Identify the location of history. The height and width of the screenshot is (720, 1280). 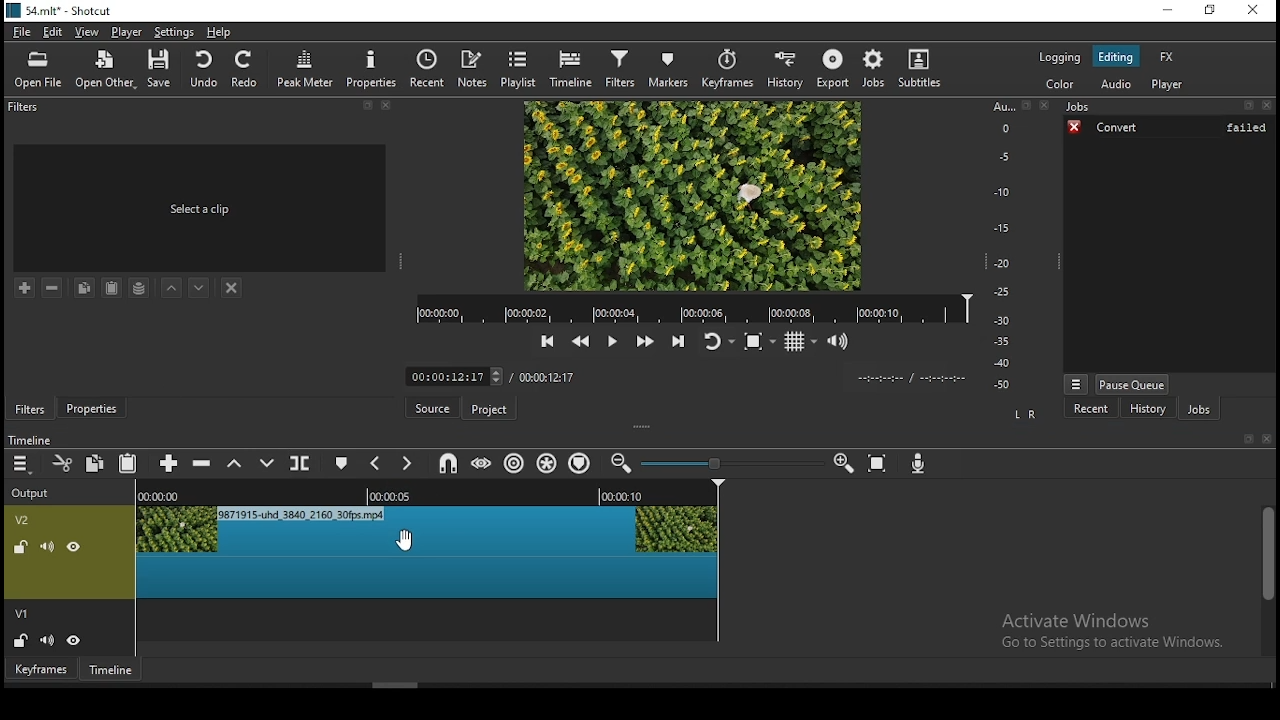
(785, 66).